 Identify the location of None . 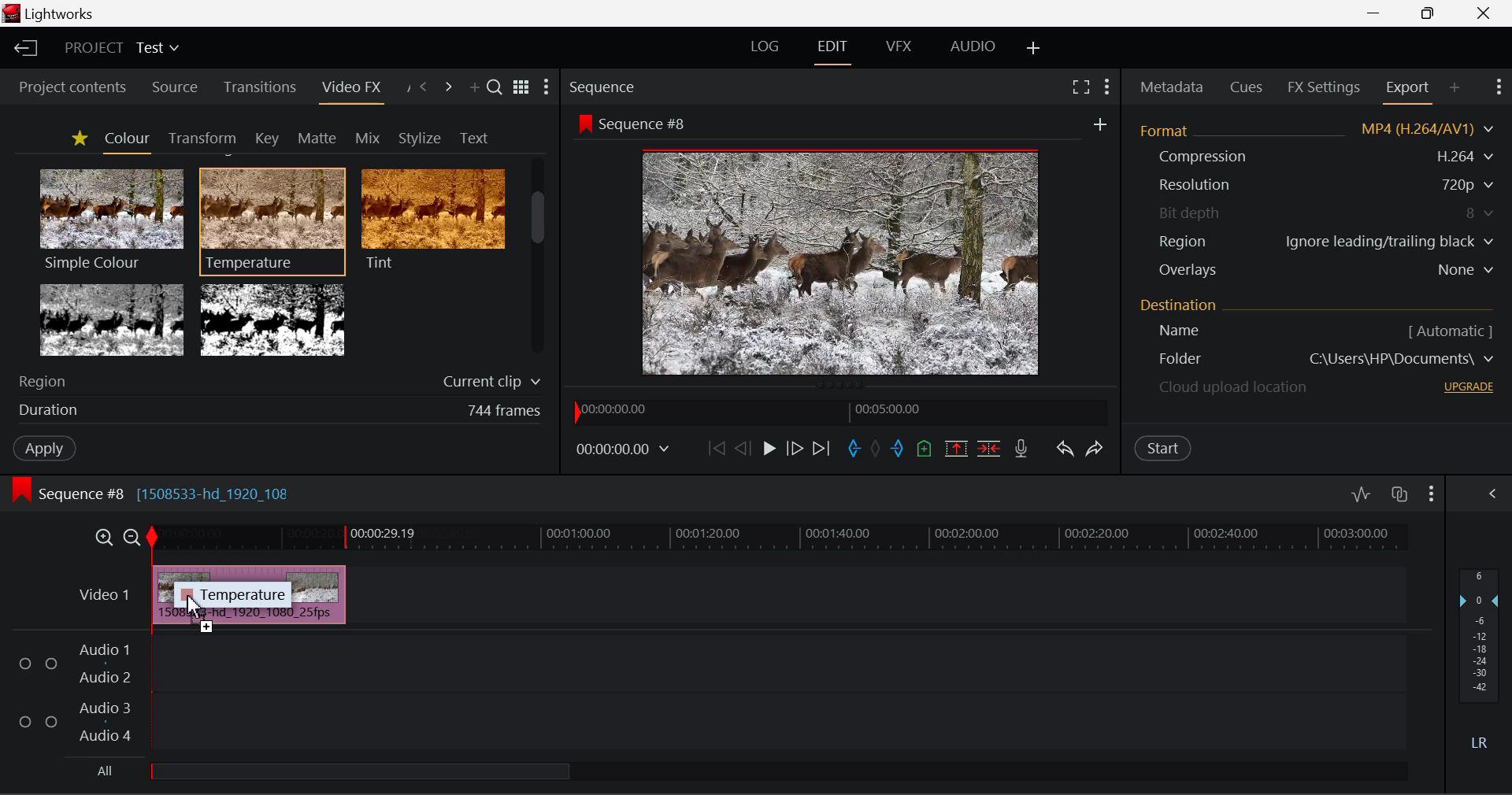
(1467, 270).